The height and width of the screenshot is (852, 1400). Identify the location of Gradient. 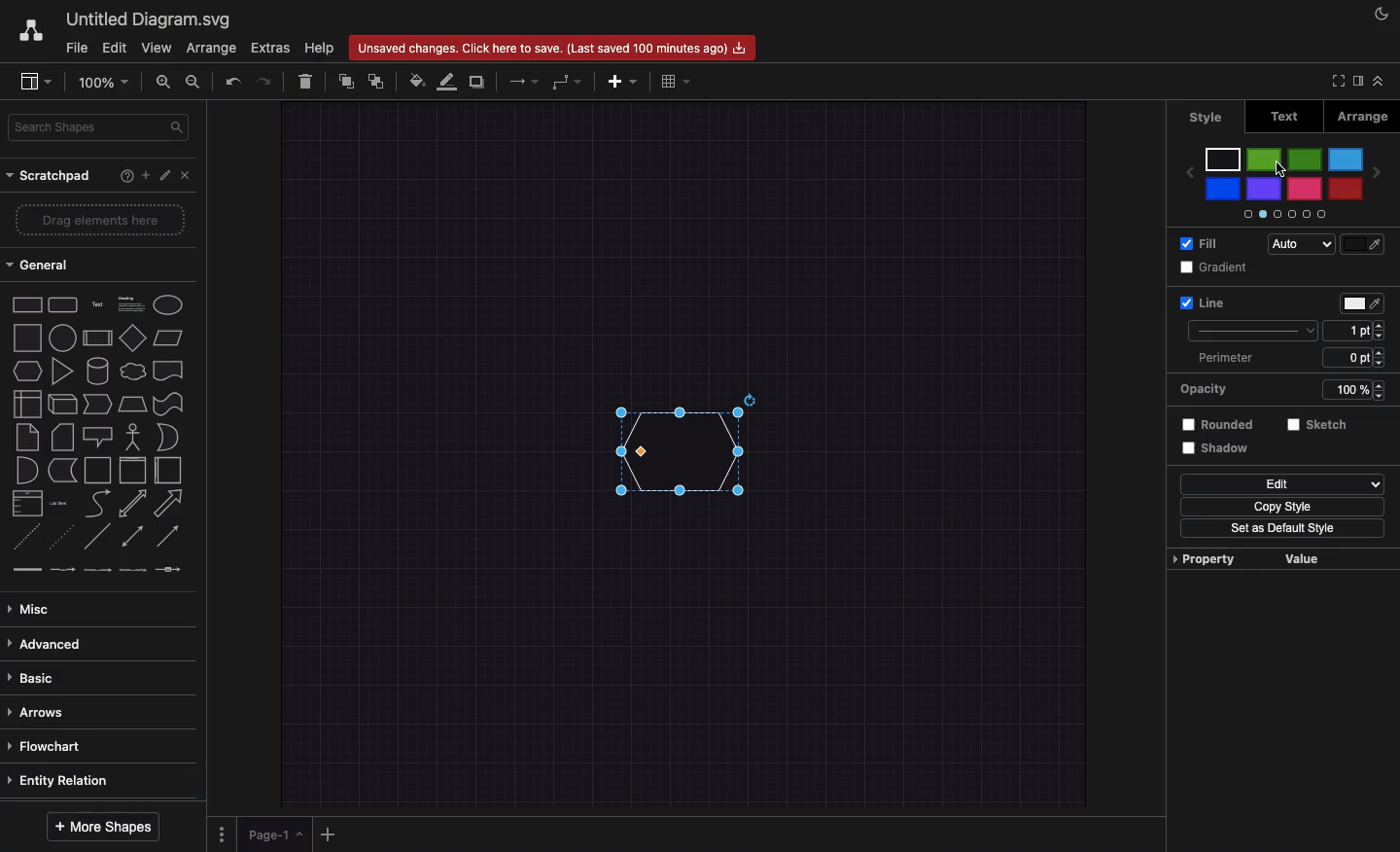
(1212, 270).